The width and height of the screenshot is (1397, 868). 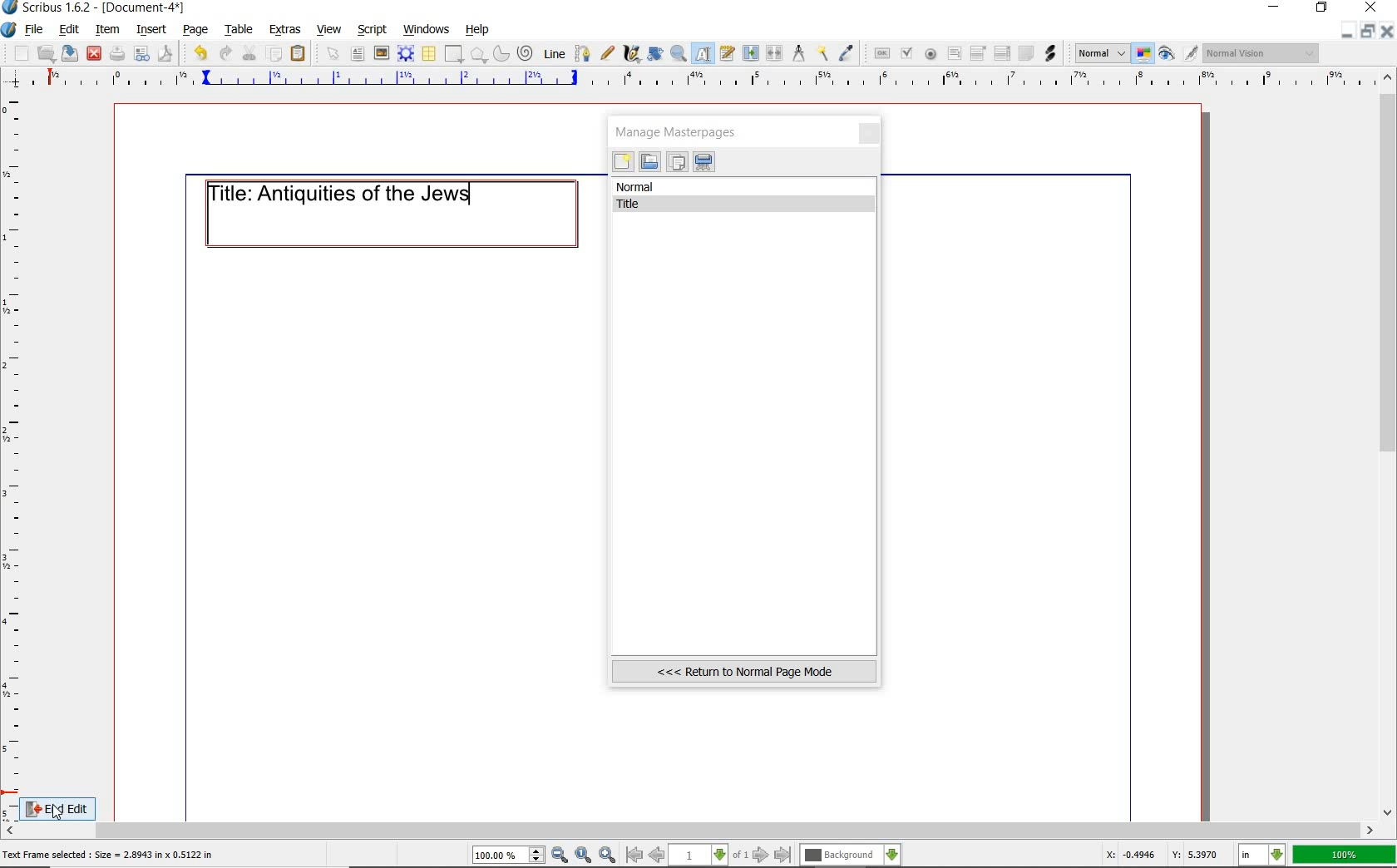 I want to click on unlink text frames, so click(x=775, y=54).